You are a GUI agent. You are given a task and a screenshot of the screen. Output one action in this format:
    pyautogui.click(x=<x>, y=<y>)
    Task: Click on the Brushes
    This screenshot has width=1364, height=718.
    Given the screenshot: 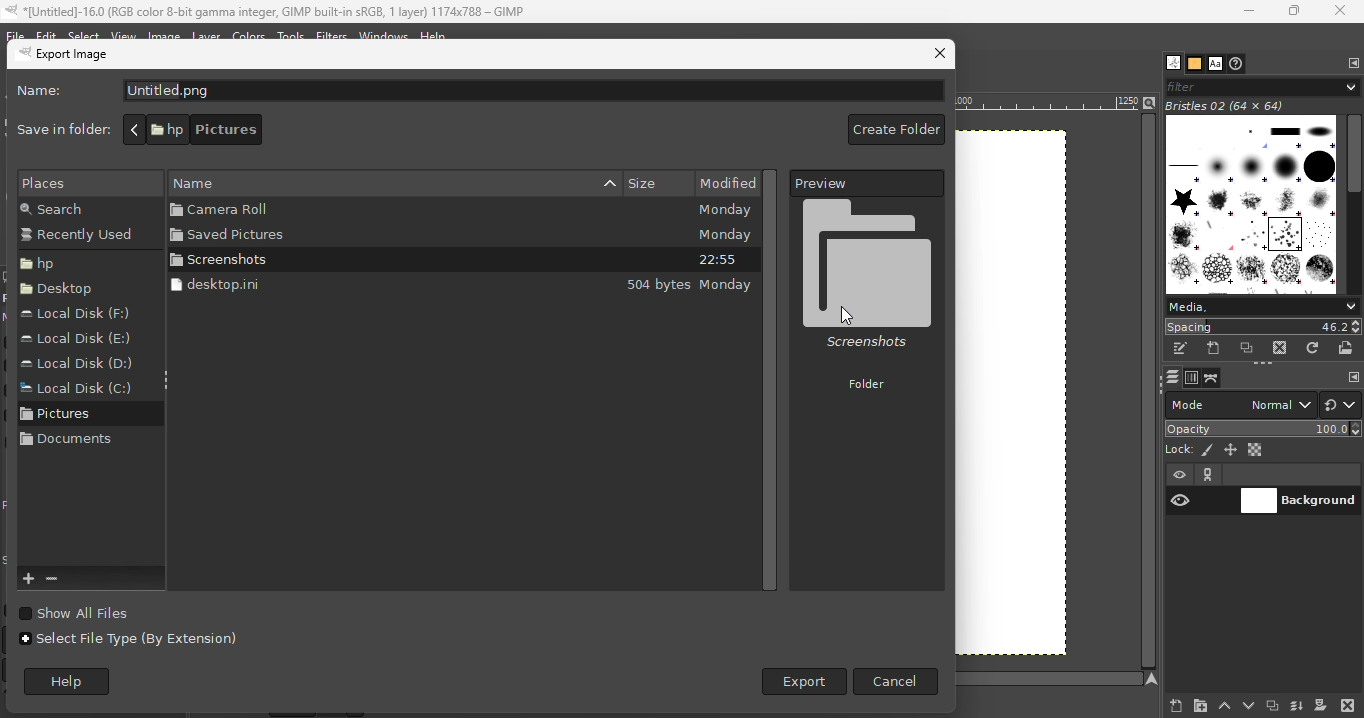 What is the action you would take?
    pyautogui.click(x=1169, y=63)
    